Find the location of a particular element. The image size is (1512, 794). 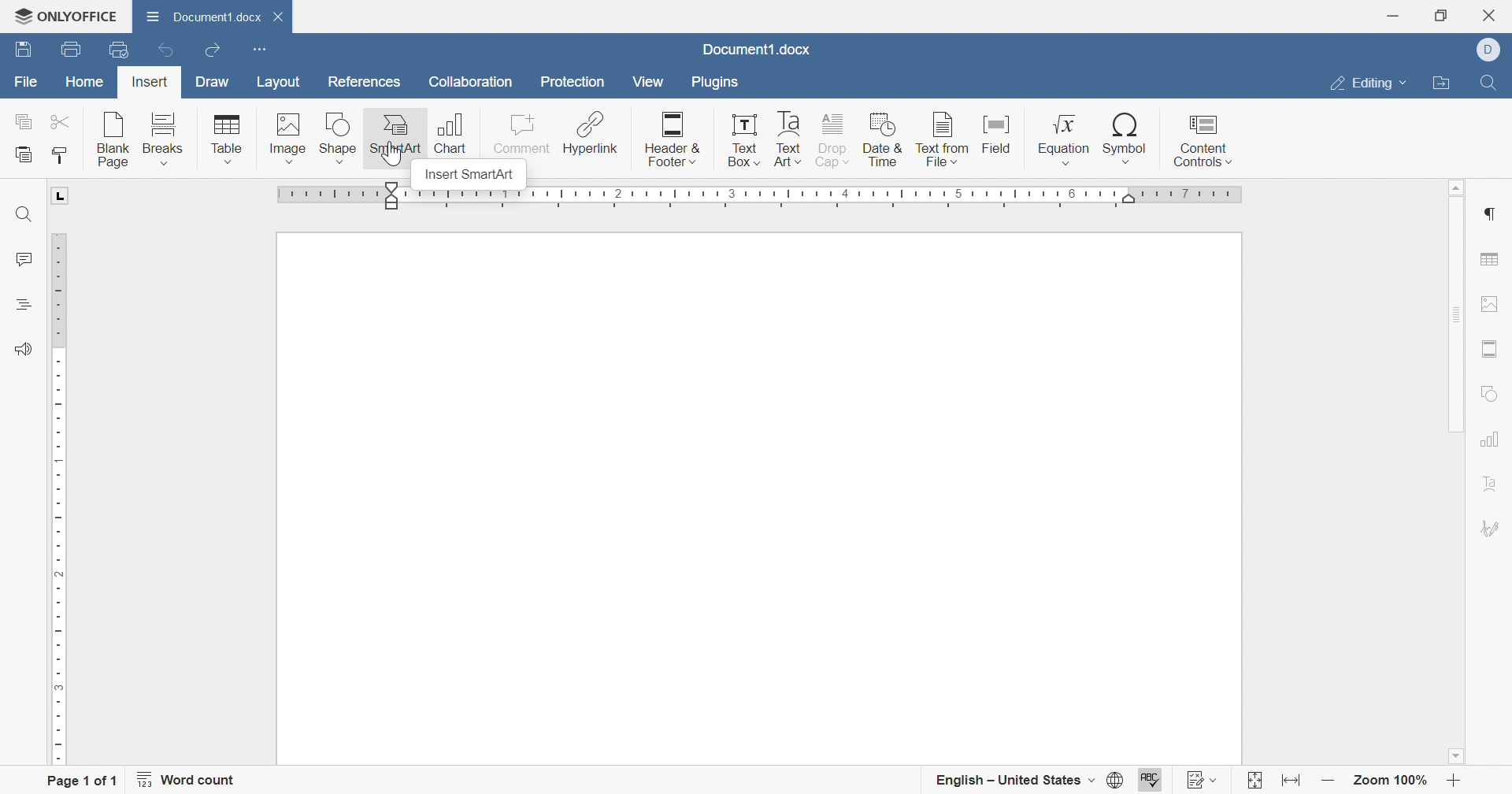

Text box is located at coordinates (747, 143).